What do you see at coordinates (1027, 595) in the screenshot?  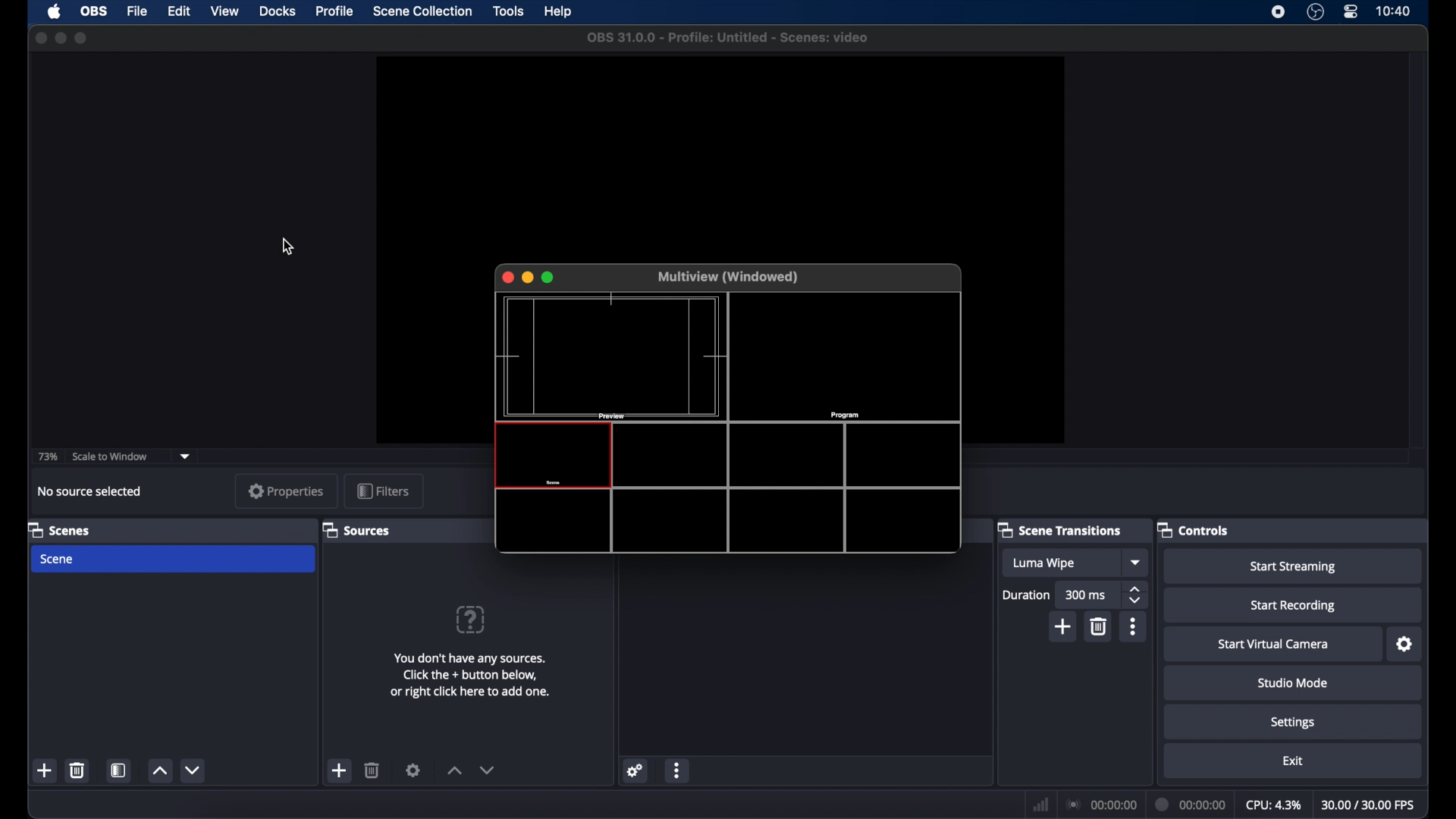 I see `duration` at bounding box center [1027, 595].